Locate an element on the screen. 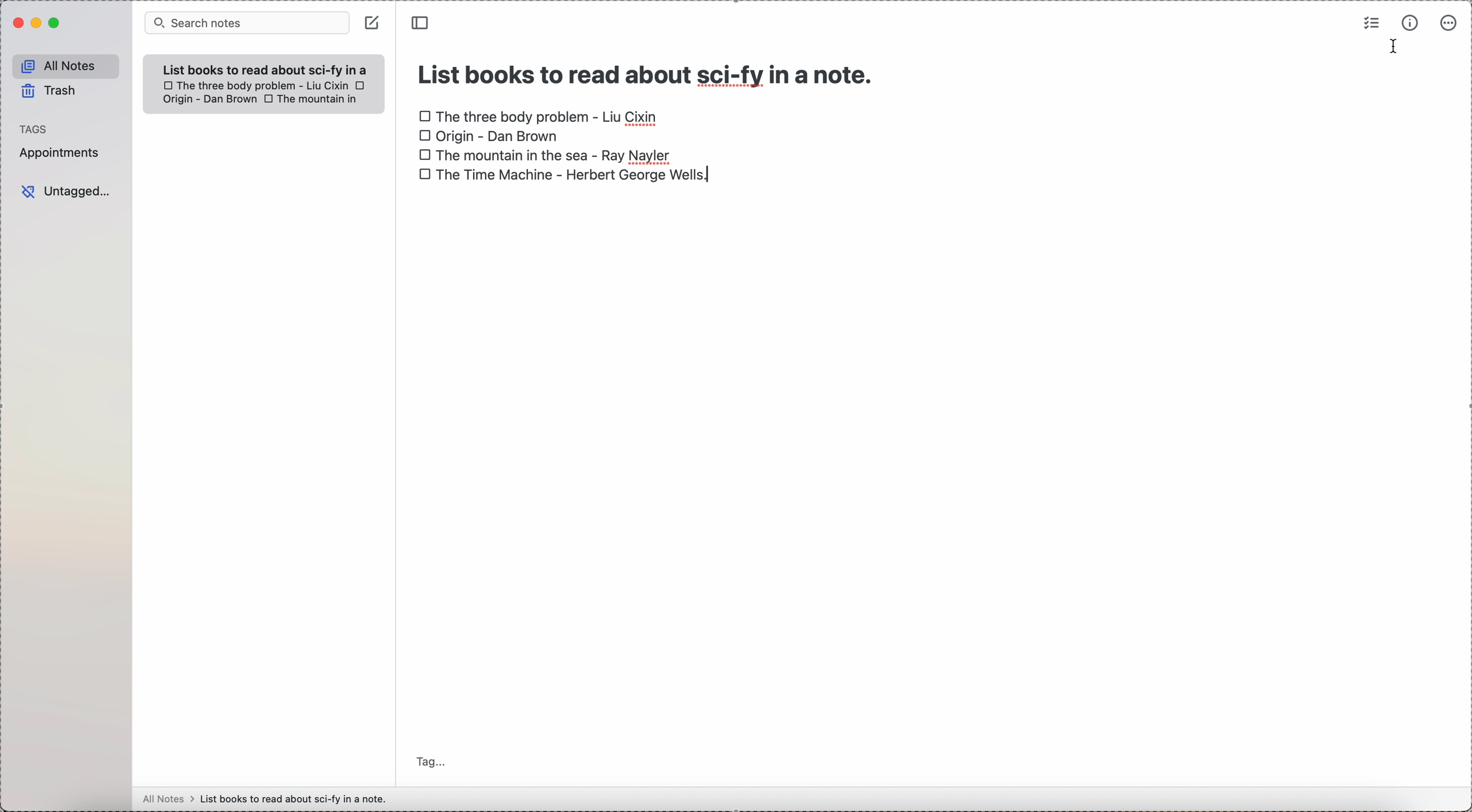 The height and width of the screenshot is (812, 1472). title: List books to read about sci-fy in a note. is located at coordinates (648, 71).